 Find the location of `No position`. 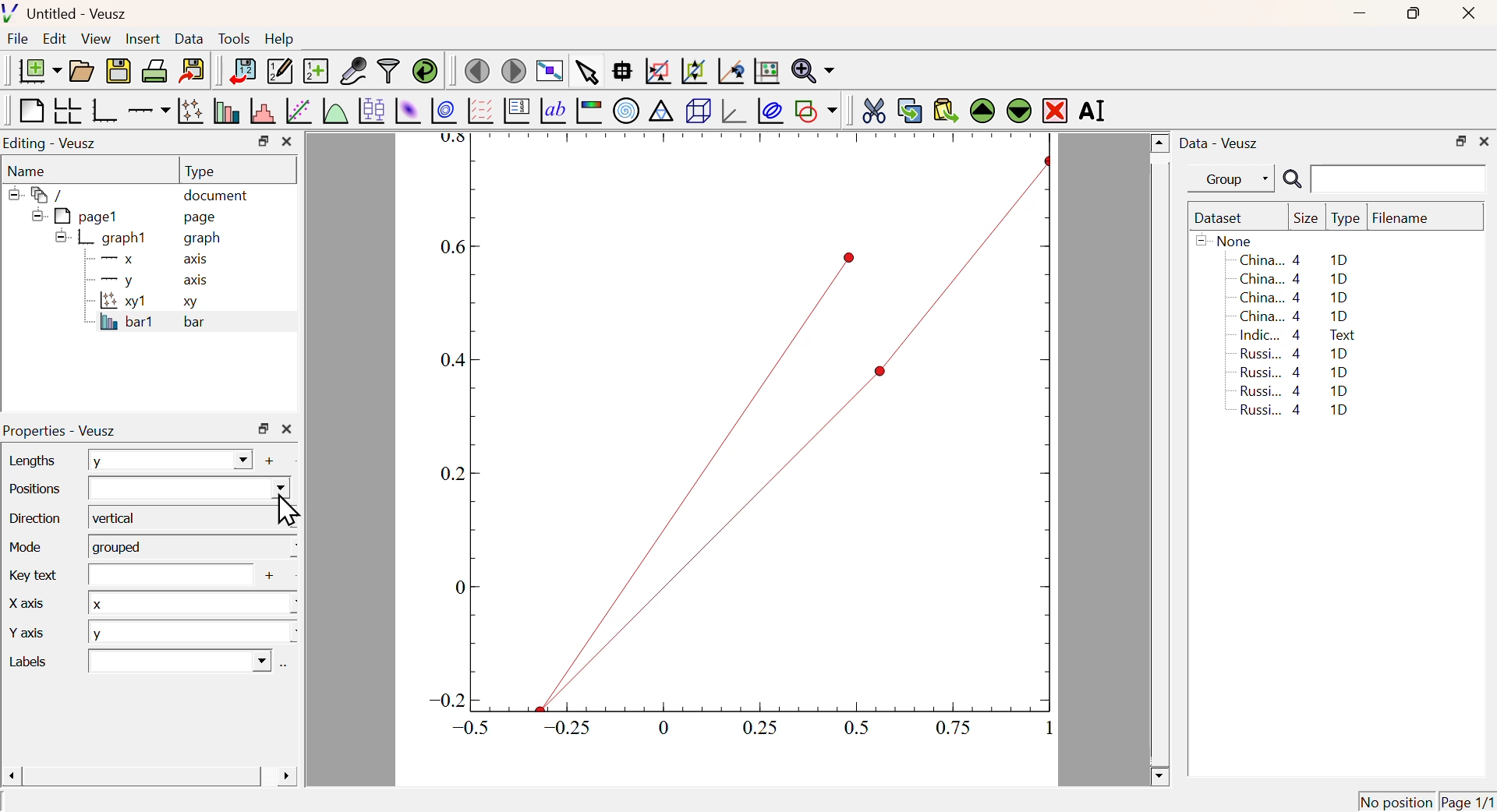

No position is located at coordinates (1396, 801).